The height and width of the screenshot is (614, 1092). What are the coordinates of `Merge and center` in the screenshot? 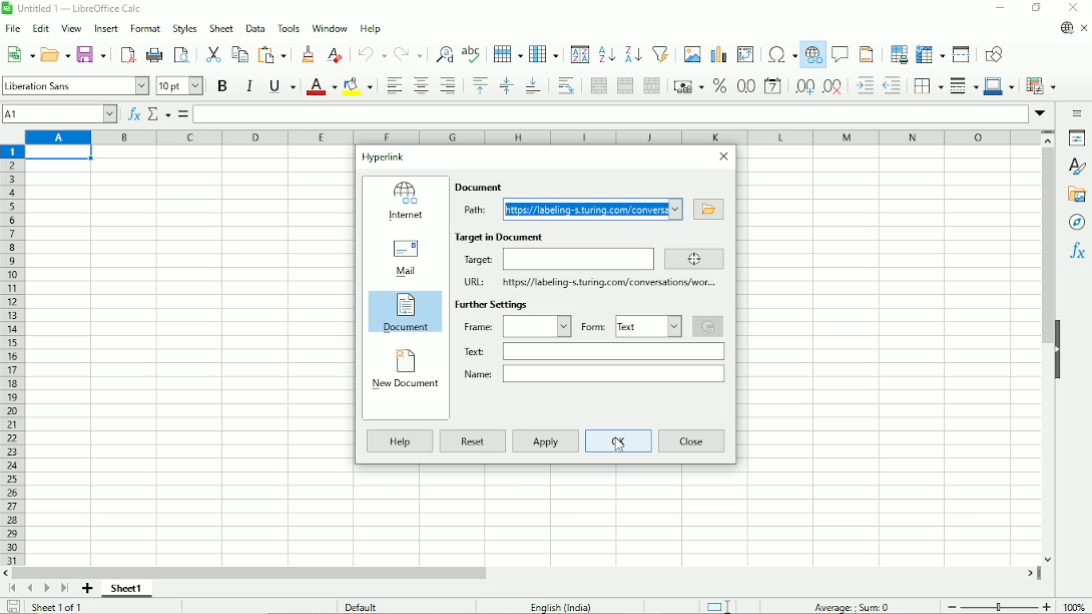 It's located at (598, 85).